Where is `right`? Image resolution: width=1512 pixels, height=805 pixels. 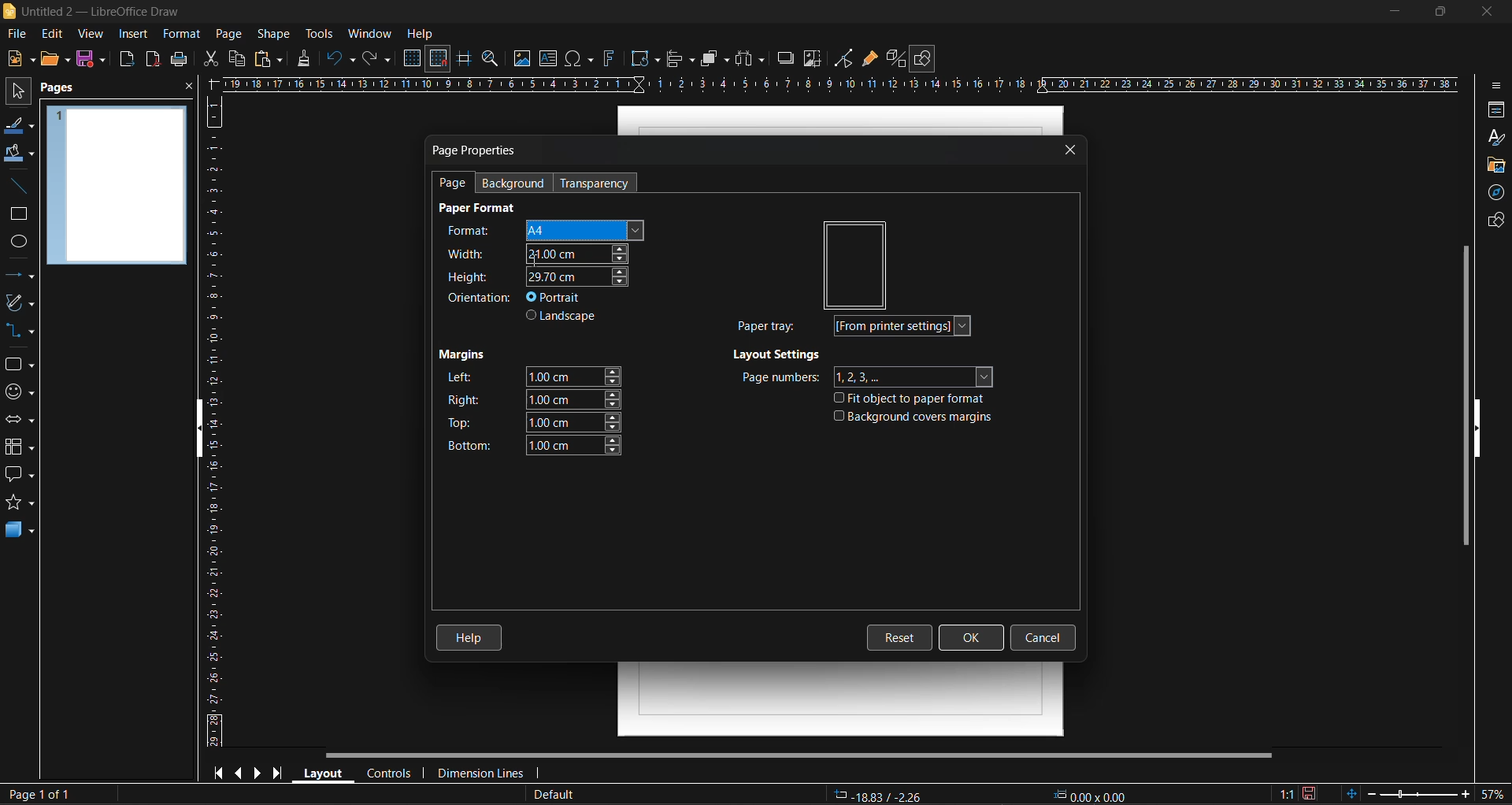 right is located at coordinates (534, 399).